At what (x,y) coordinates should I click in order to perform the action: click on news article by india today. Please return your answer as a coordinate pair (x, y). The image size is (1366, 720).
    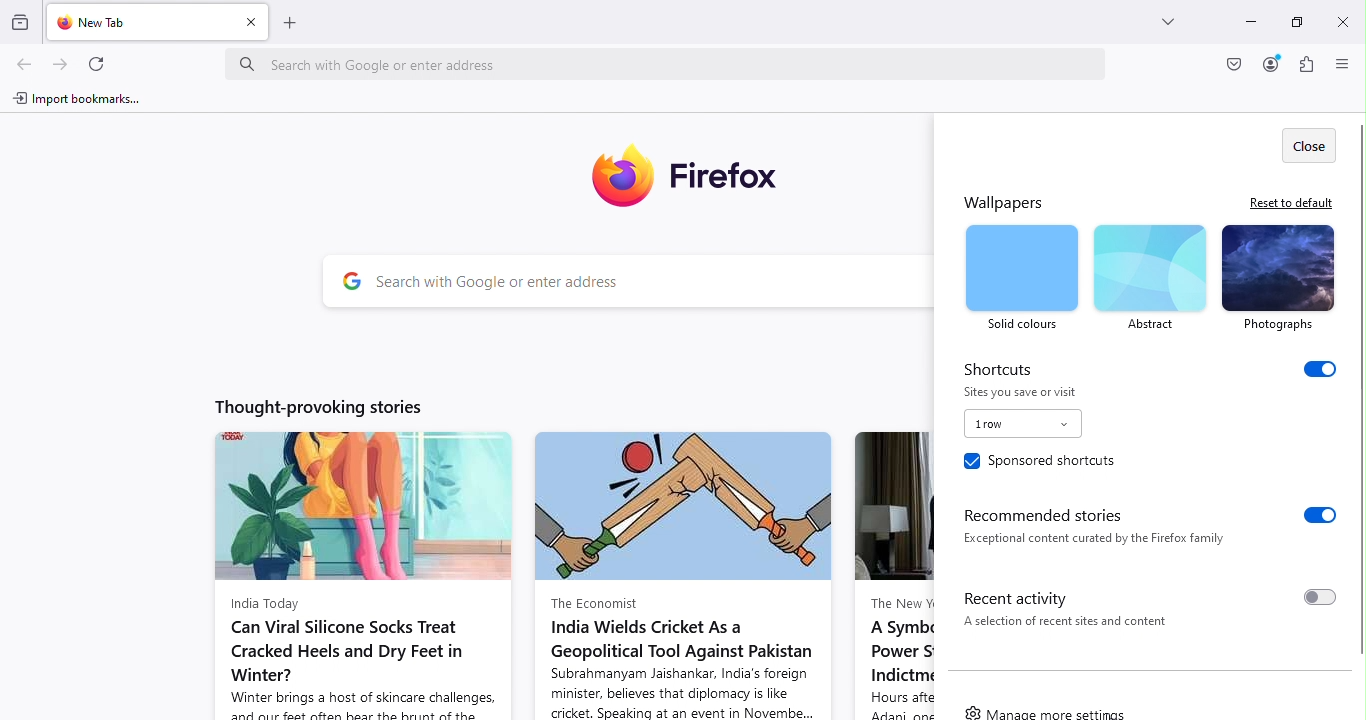
    Looking at the image, I should click on (356, 574).